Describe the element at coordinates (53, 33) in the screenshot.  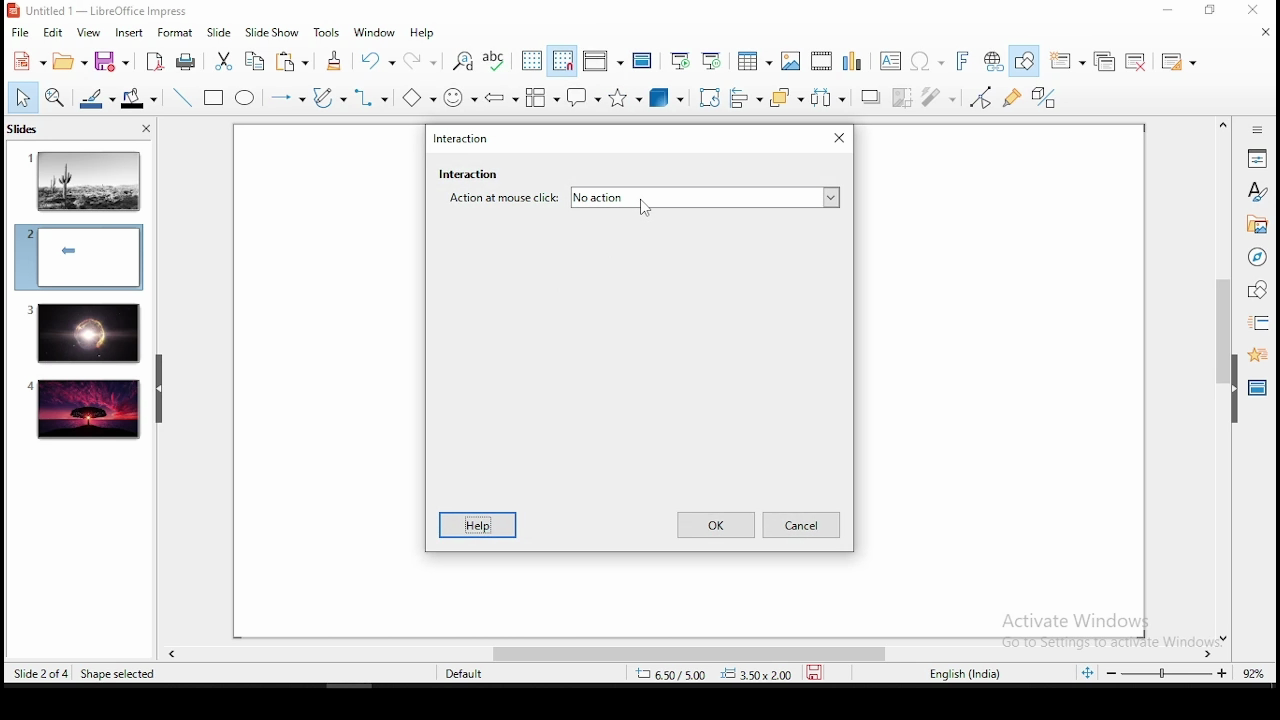
I see `edit` at that location.